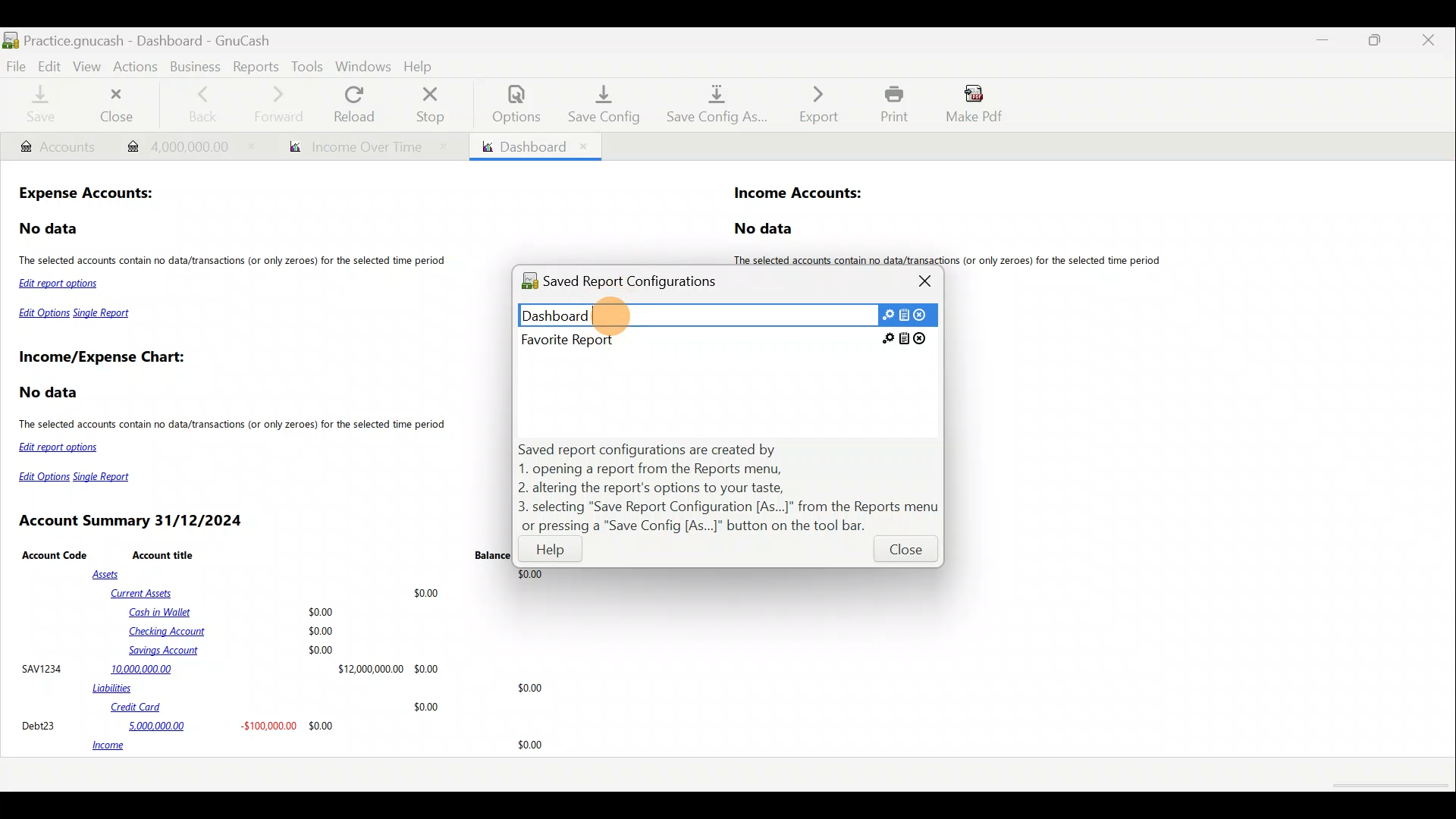  What do you see at coordinates (235, 262) in the screenshot?
I see `The selected accounts contain no data/transactions (or only zeroes) for the selected time period` at bounding box center [235, 262].